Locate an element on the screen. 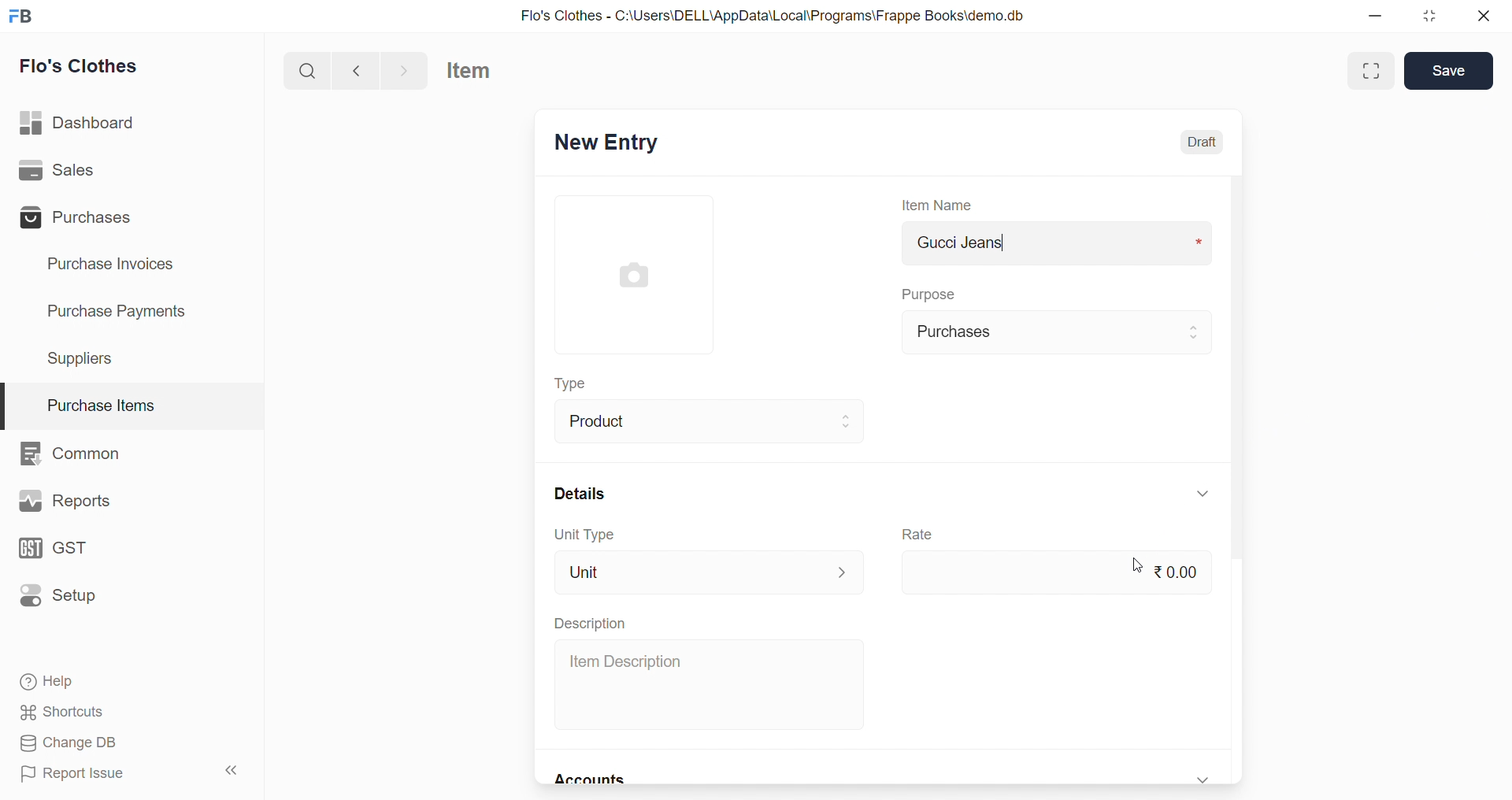 The image size is (1512, 800). Accounts is located at coordinates (595, 780).